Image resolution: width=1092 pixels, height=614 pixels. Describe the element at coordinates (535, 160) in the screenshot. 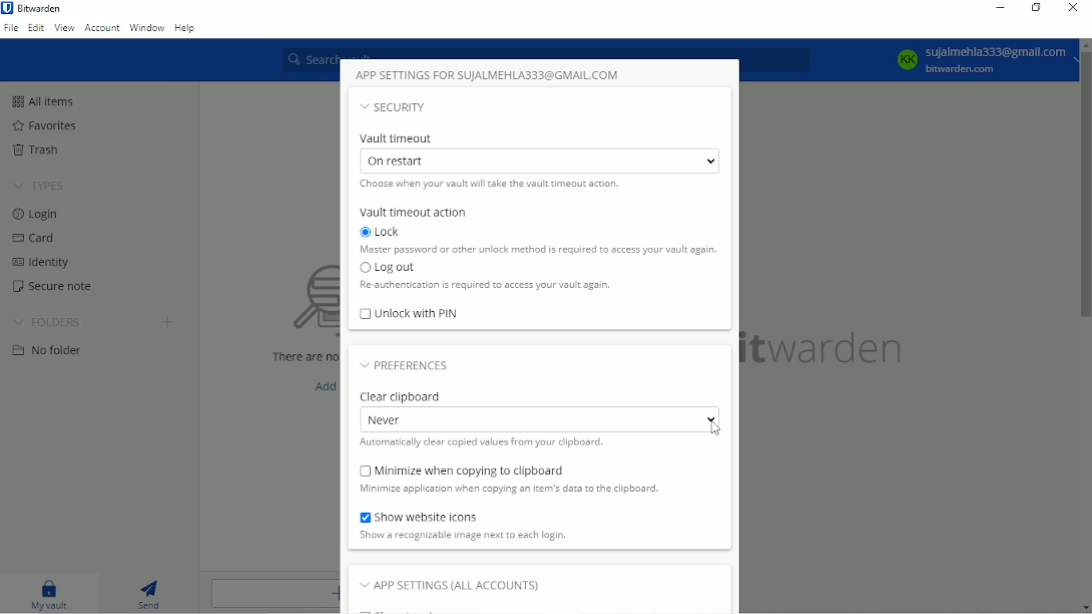

I see `On restart` at that location.